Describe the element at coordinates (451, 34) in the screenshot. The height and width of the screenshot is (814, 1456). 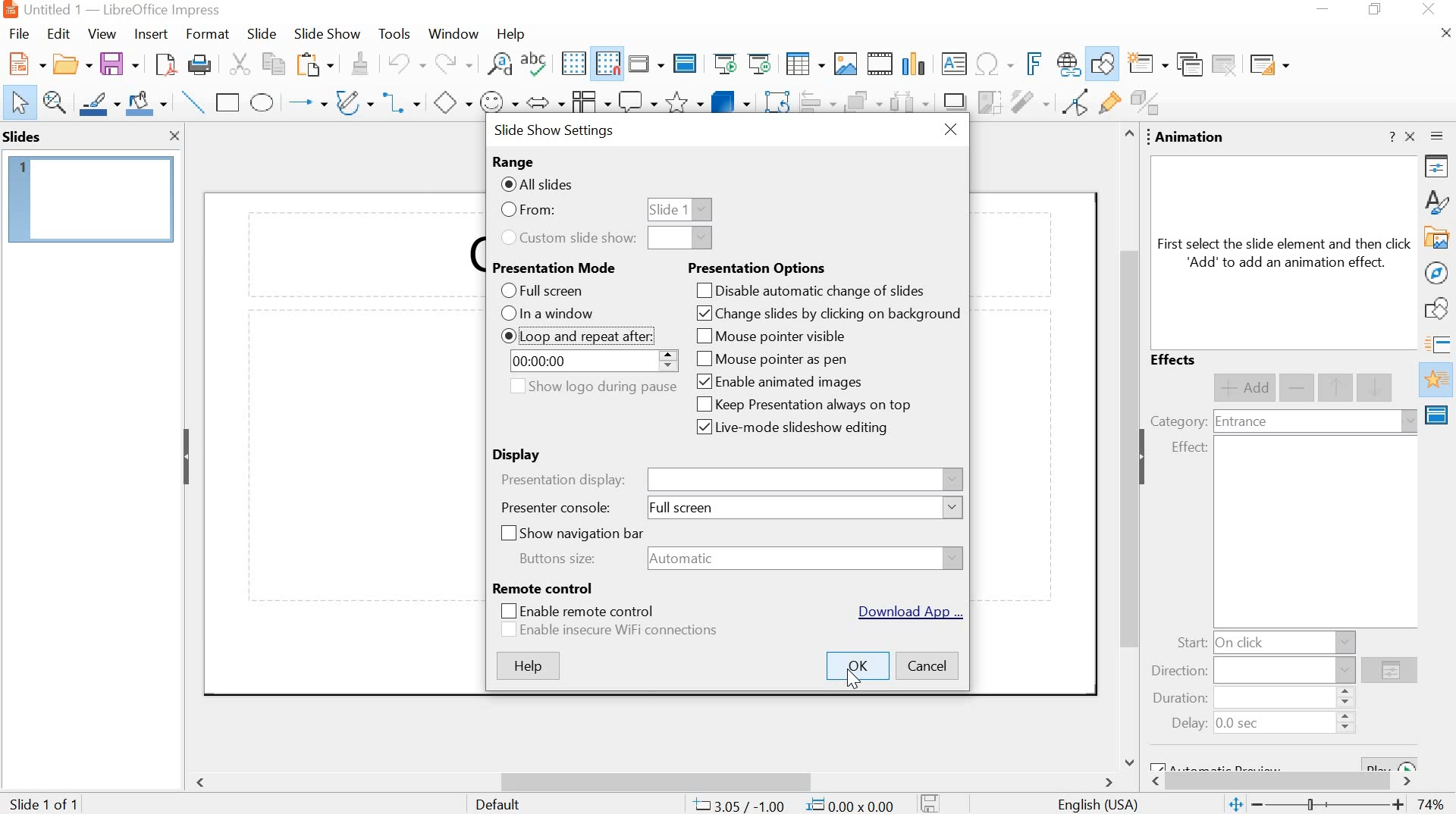
I see `window menu` at that location.